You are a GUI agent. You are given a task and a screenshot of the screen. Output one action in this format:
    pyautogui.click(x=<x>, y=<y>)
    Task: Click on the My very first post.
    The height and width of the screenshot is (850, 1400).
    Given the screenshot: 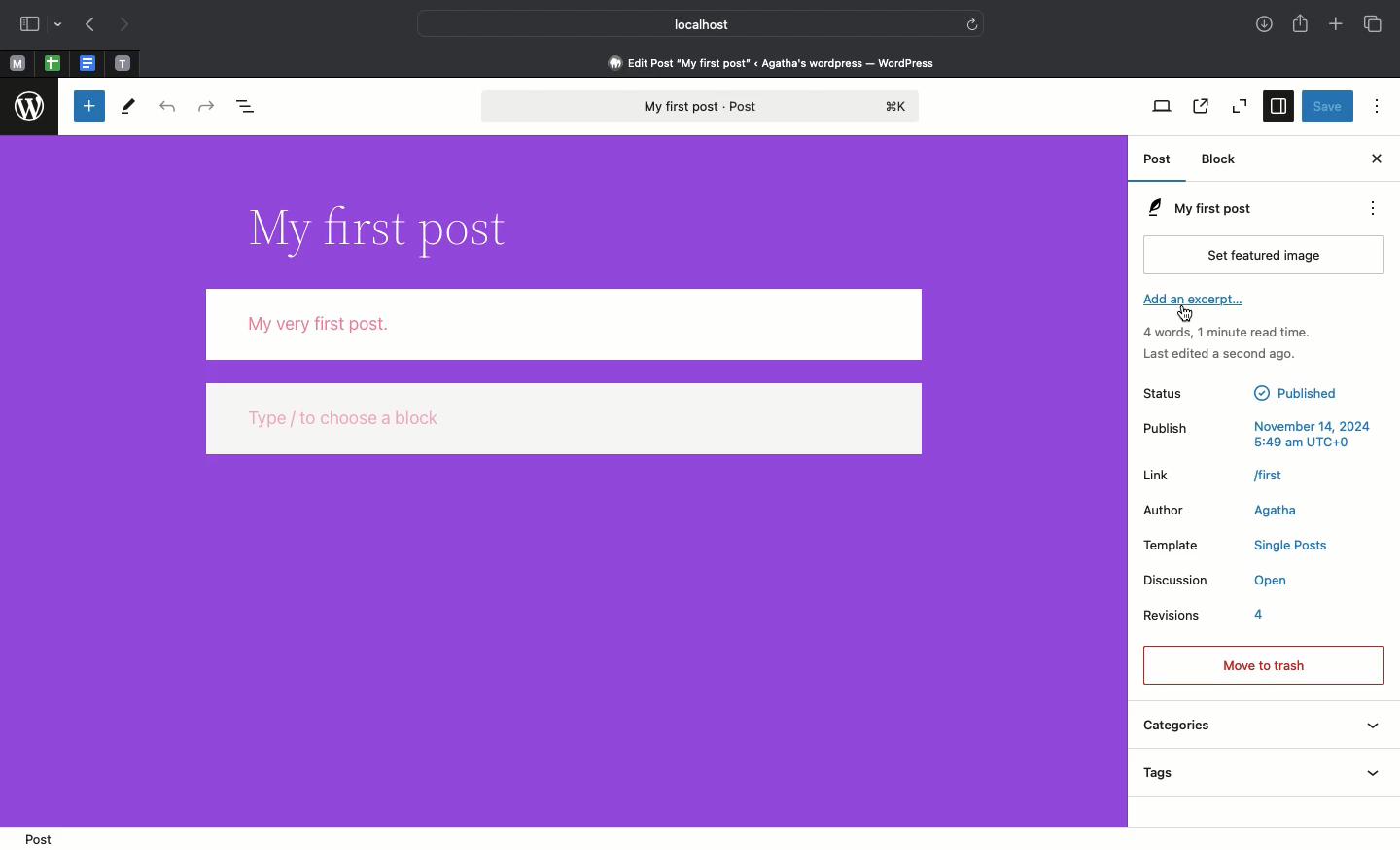 What is the action you would take?
    pyautogui.click(x=560, y=322)
    